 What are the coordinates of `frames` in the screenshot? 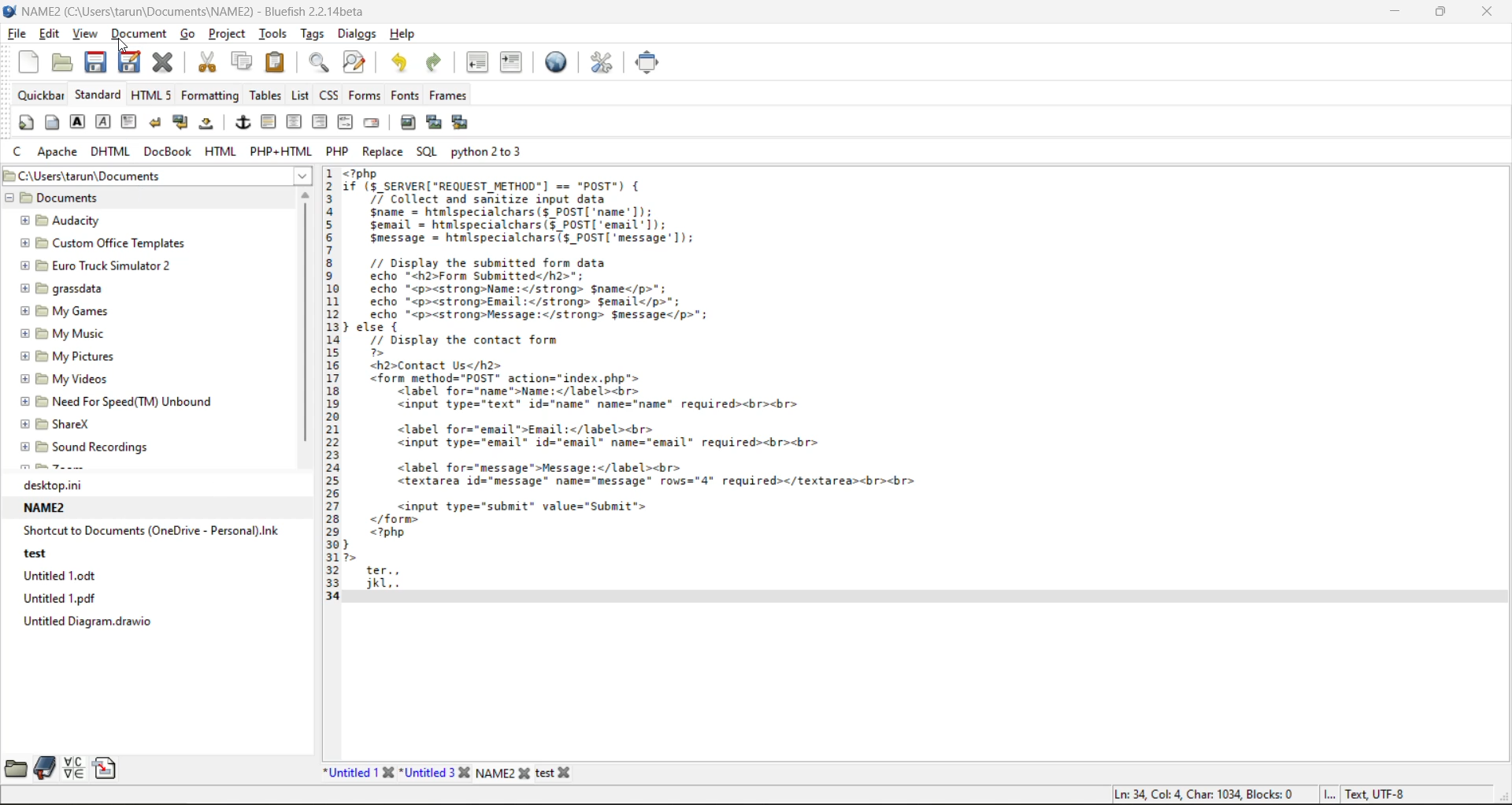 It's located at (447, 95).